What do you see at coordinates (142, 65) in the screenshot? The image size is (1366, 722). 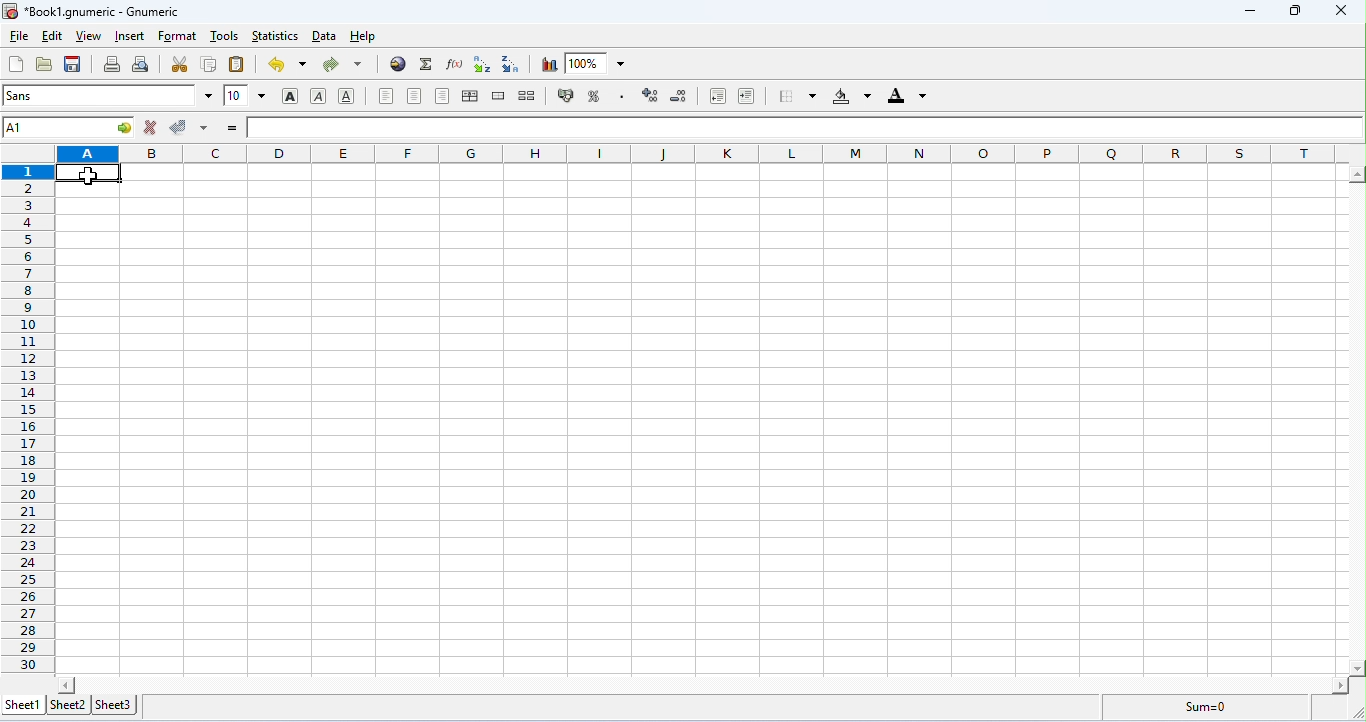 I see `print preview` at bounding box center [142, 65].